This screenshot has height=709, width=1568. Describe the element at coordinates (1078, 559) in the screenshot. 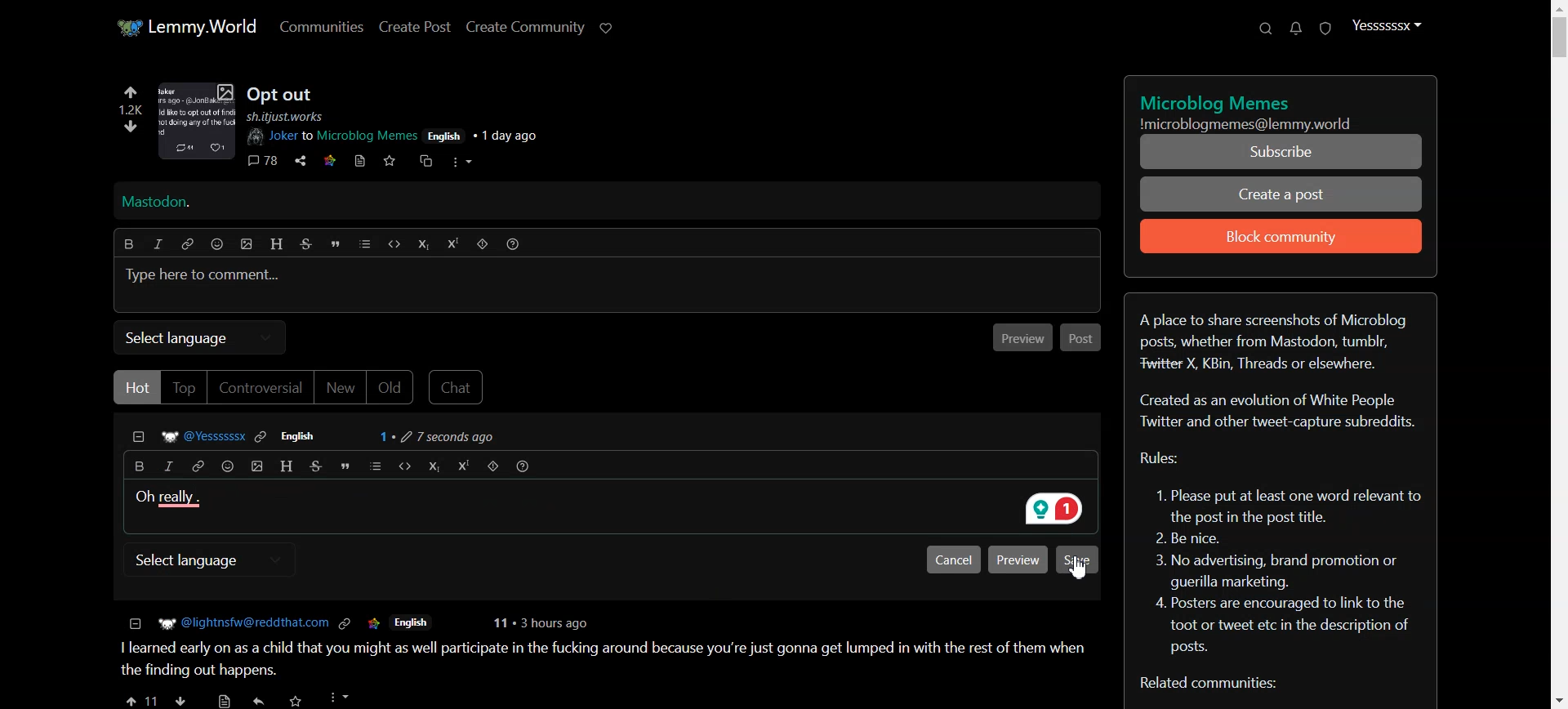

I see `Save` at that location.